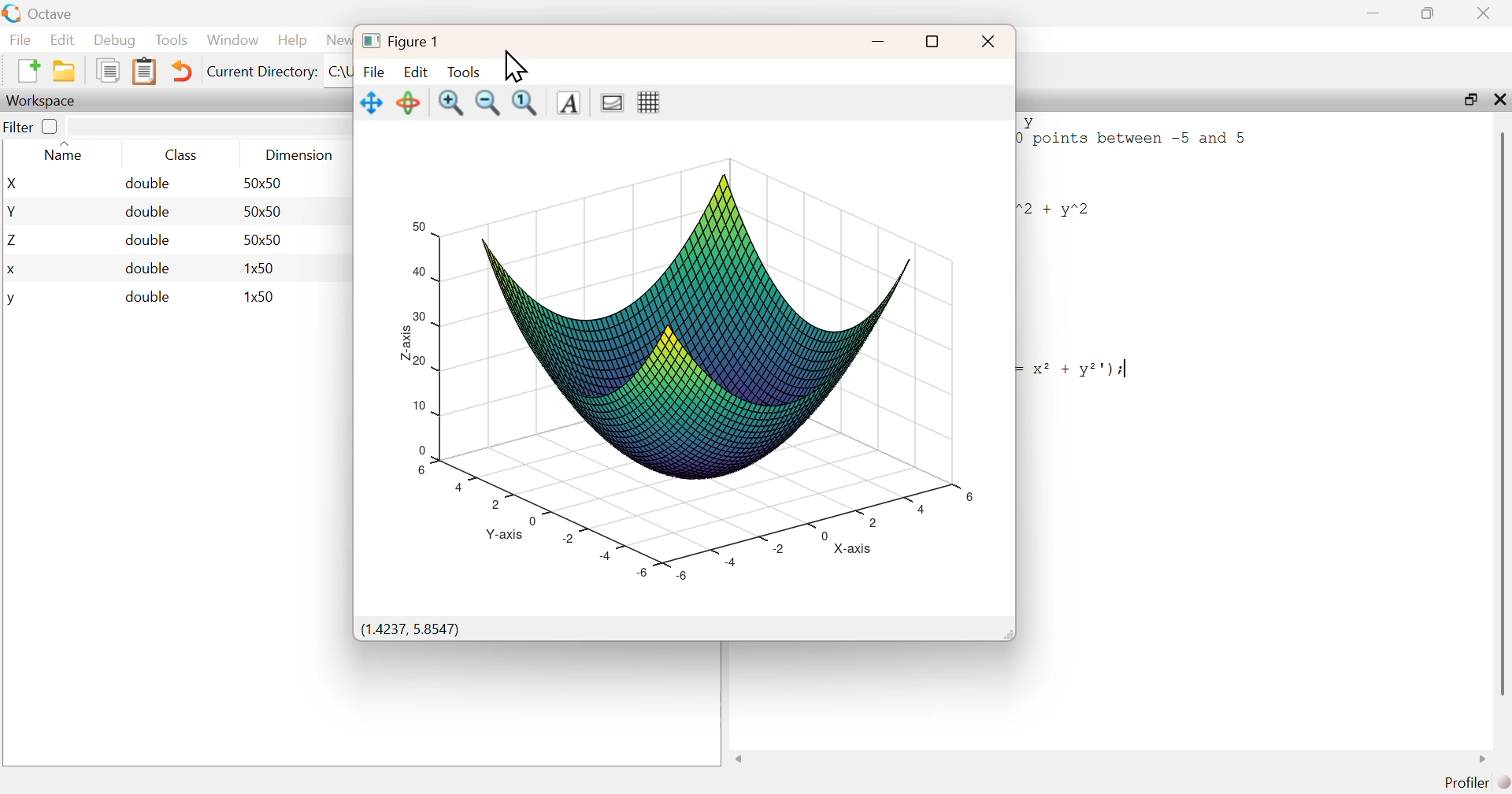  I want to click on maximize, so click(1469, 98).